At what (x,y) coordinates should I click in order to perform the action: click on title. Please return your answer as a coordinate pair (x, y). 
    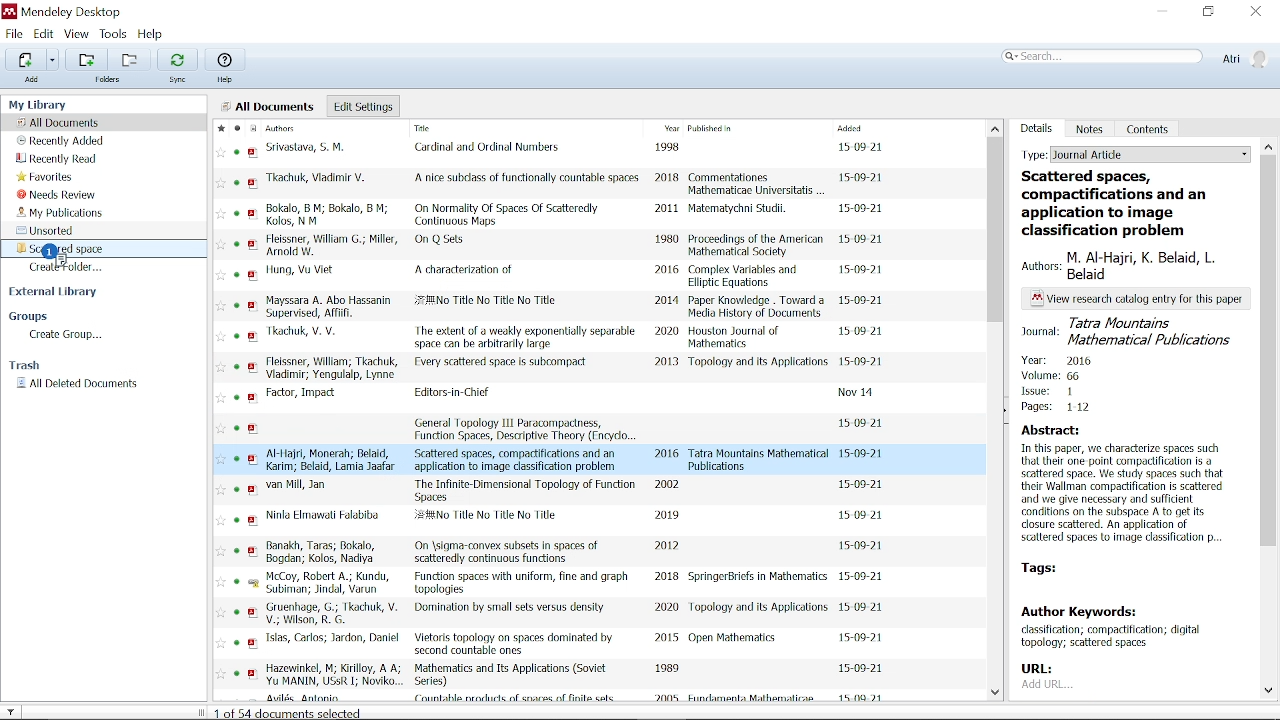
    Looking at the image, I should click on (1127, 205).